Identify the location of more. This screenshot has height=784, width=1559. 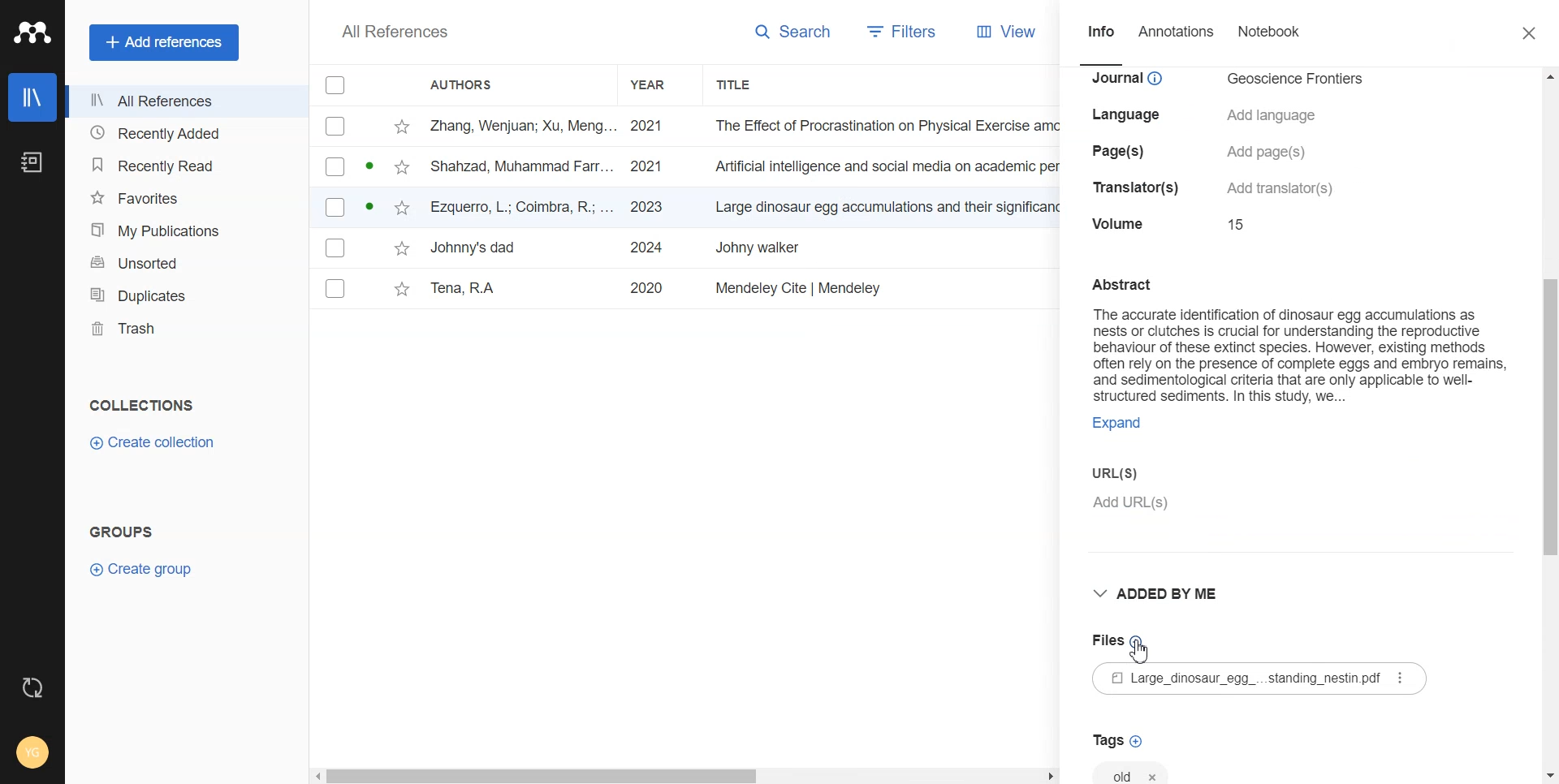
(1401, 678).